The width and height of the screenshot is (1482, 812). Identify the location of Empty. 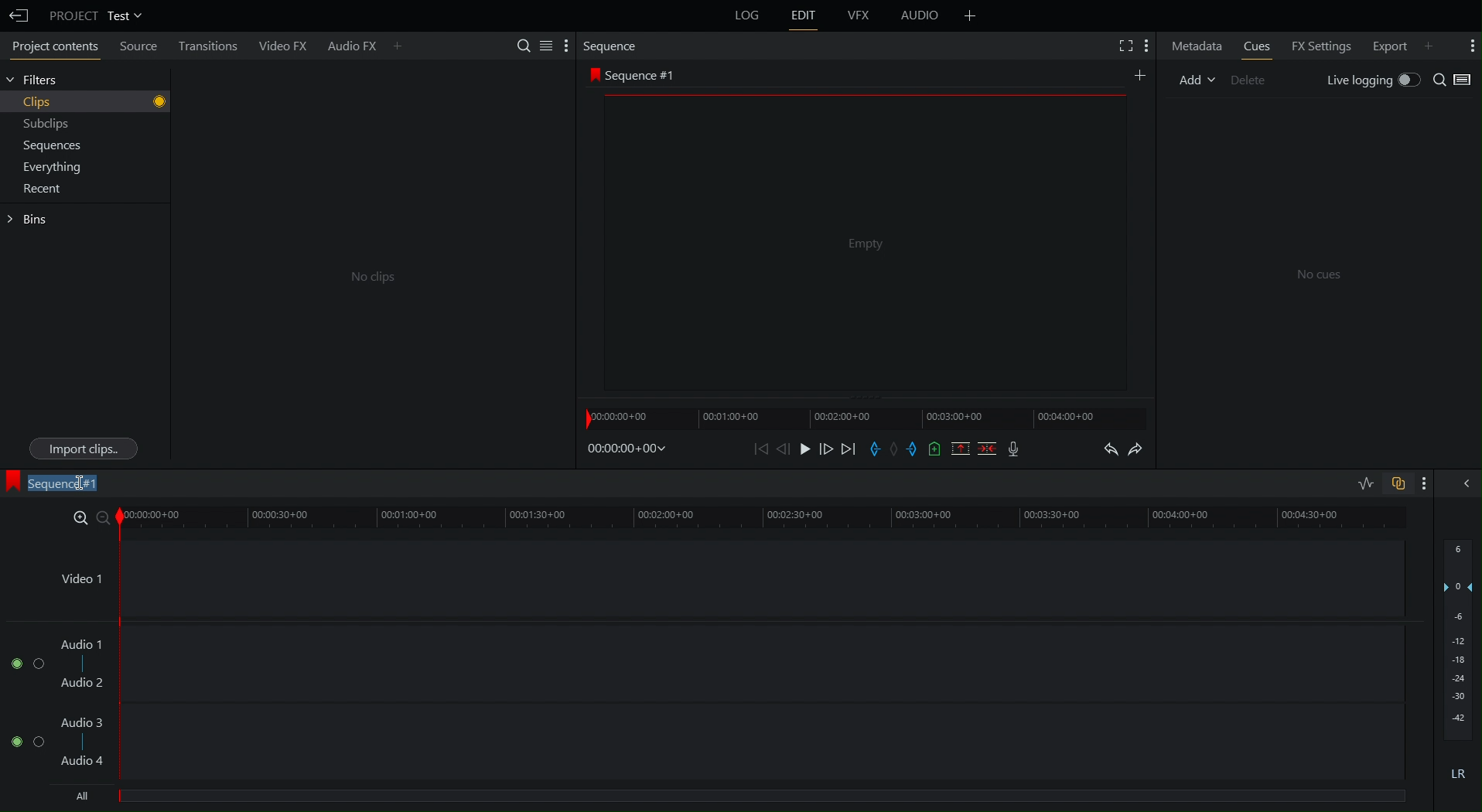
(863, 244).